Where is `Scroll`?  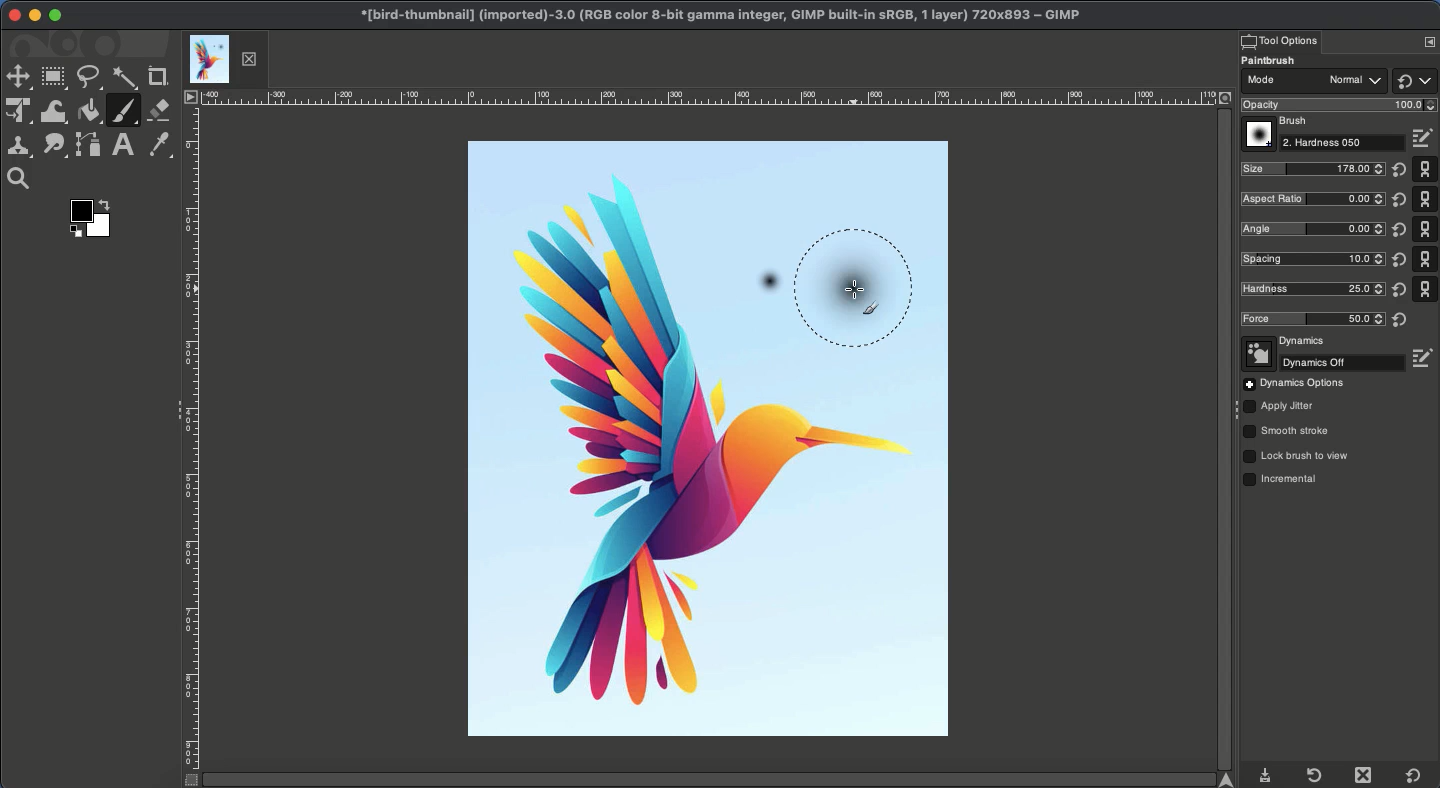 Scroll is located at coordinates (718, 780).